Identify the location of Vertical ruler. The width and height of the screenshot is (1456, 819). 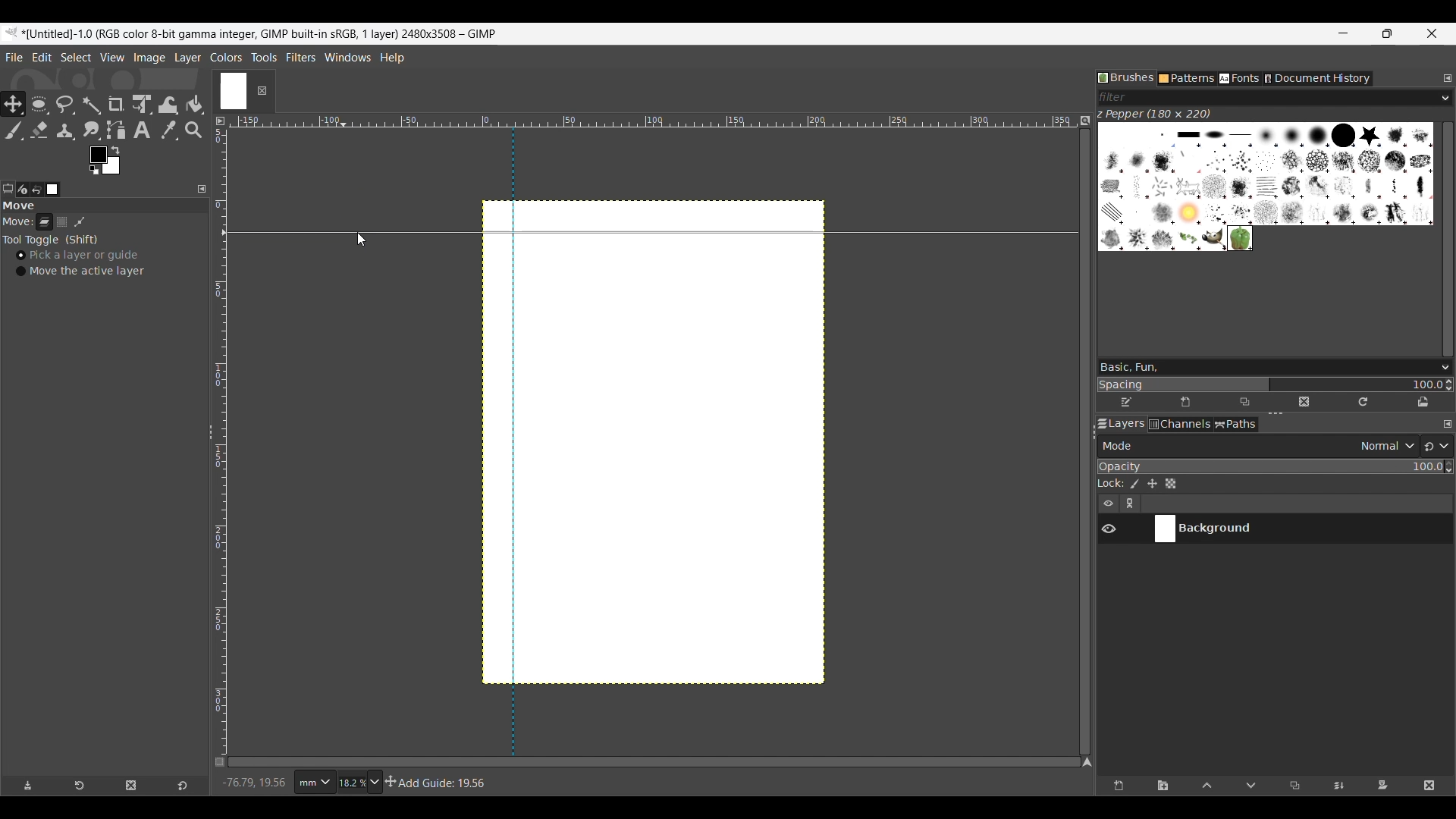
(224, 438).